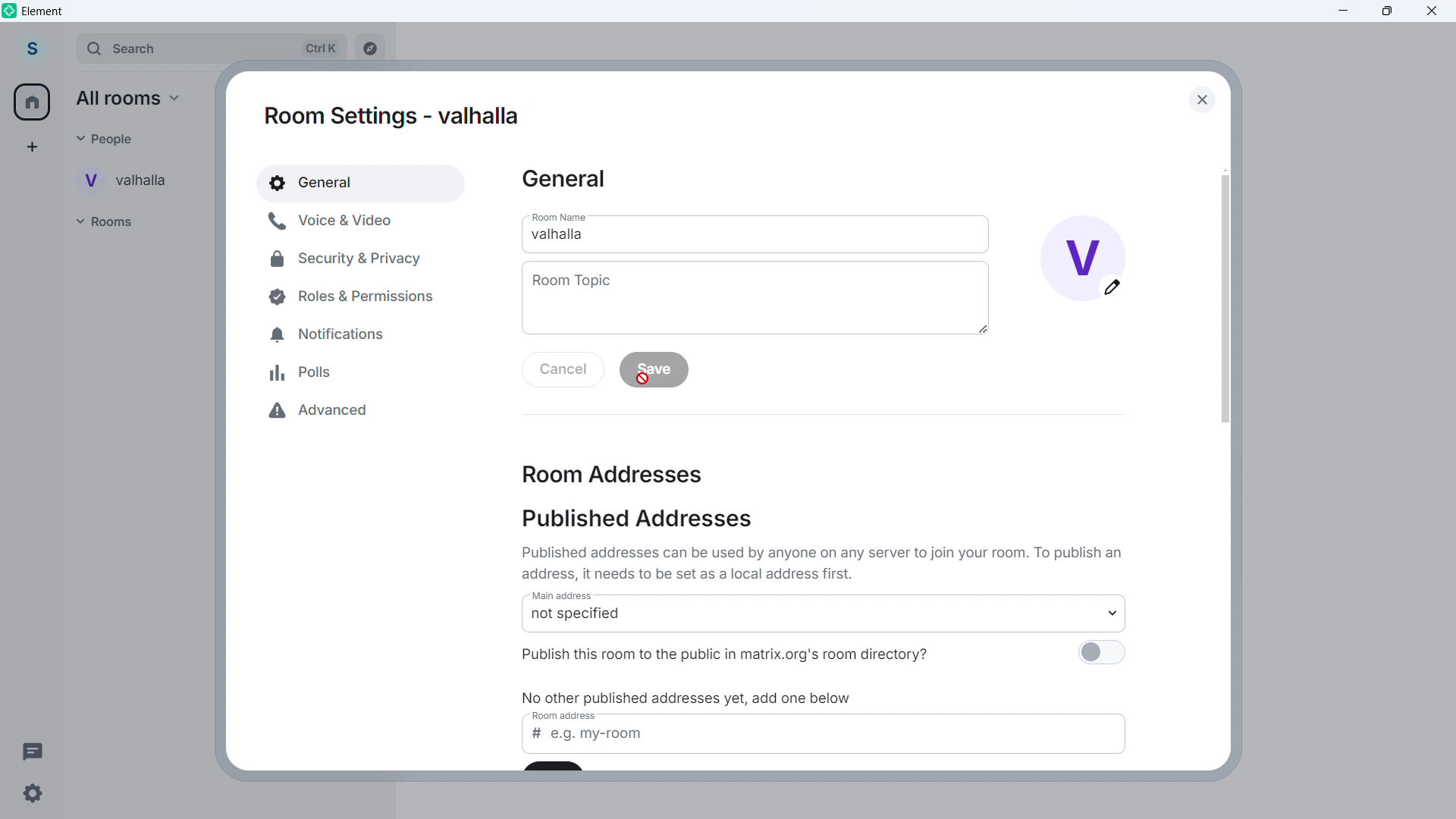 The height and width of the screenshot is (819, 1456). Describe the element at coordinates (557, 213) in the screenshot. I see `room name` at that location.